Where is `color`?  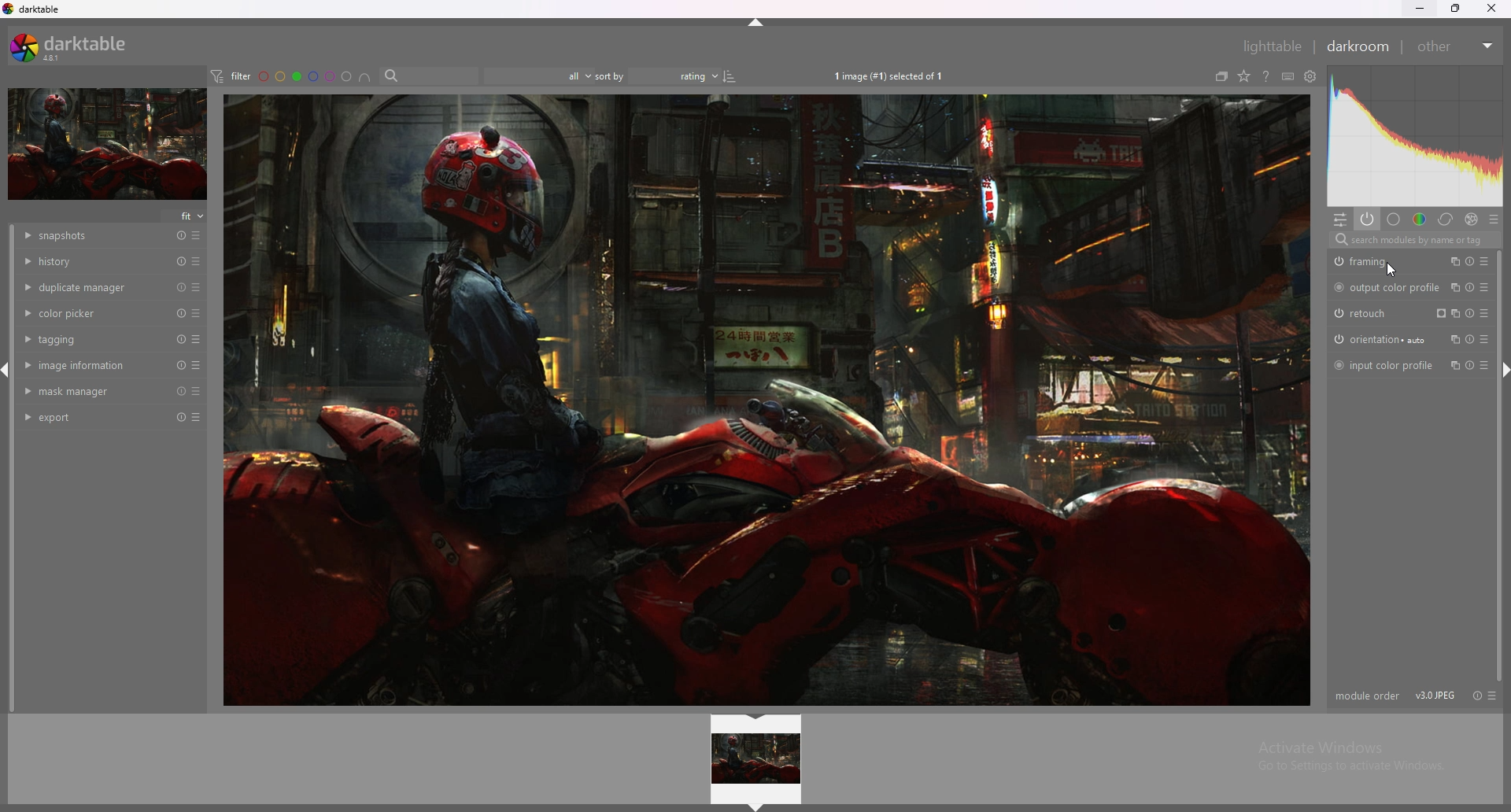
color is located at coordinates (1420, 218).